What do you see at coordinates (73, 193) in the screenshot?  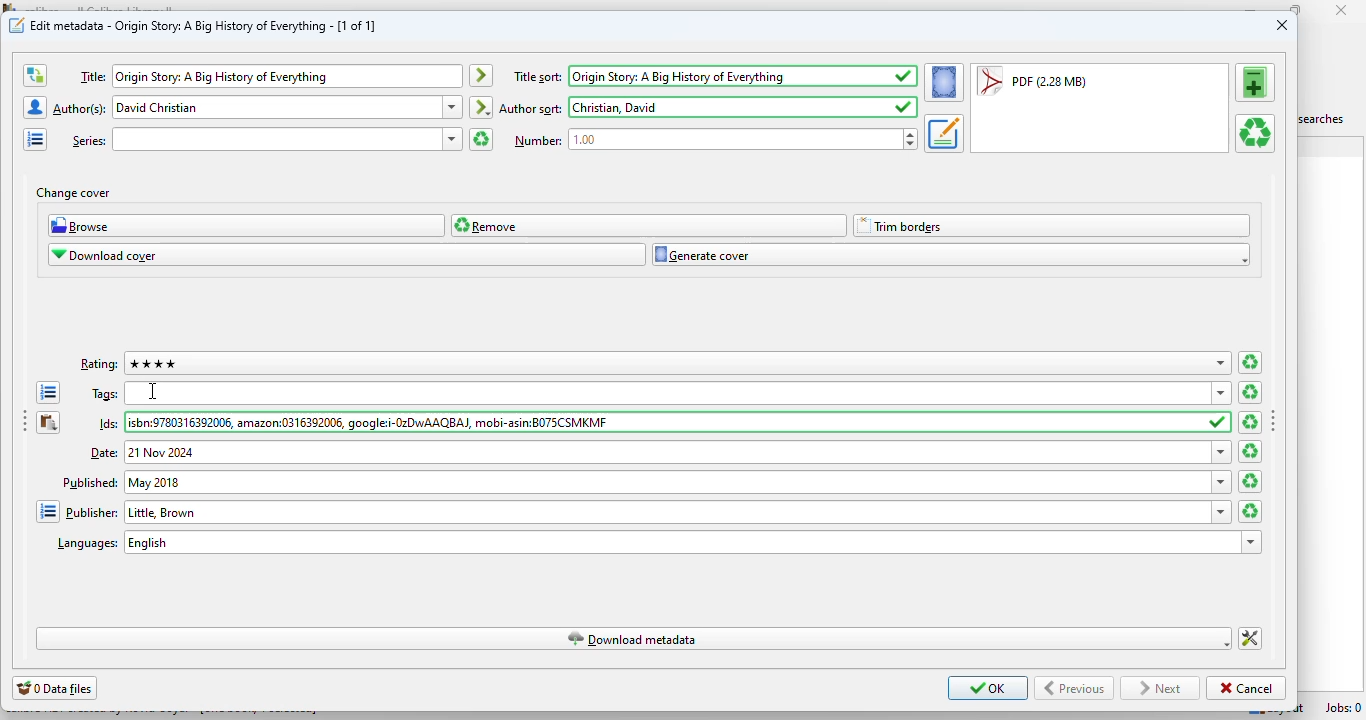 I see `change cover` at bounding box center [73, 193].